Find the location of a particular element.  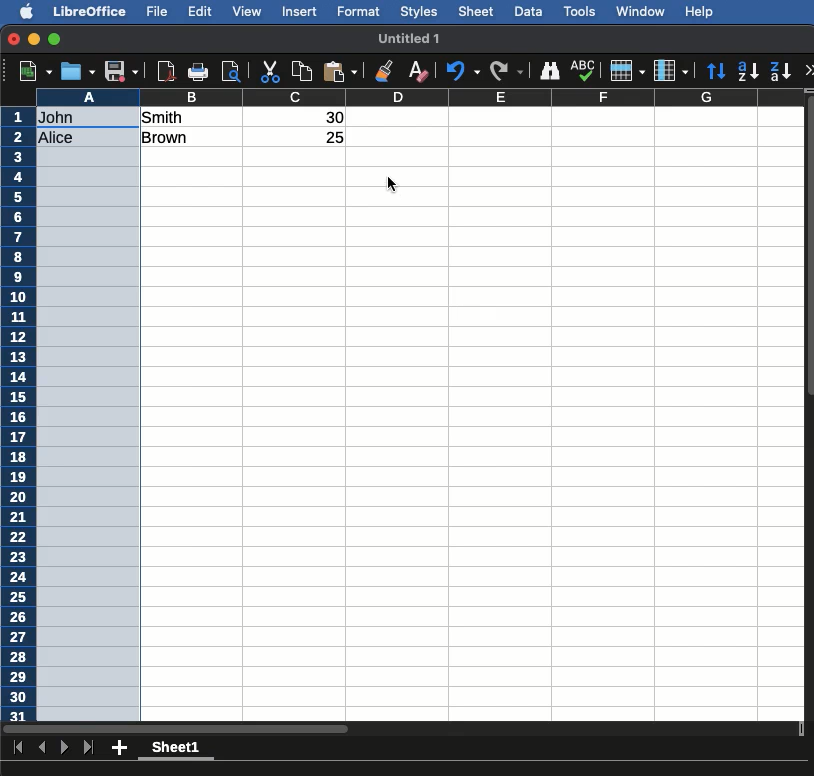

Sheet is located at coordinates (477, 11).